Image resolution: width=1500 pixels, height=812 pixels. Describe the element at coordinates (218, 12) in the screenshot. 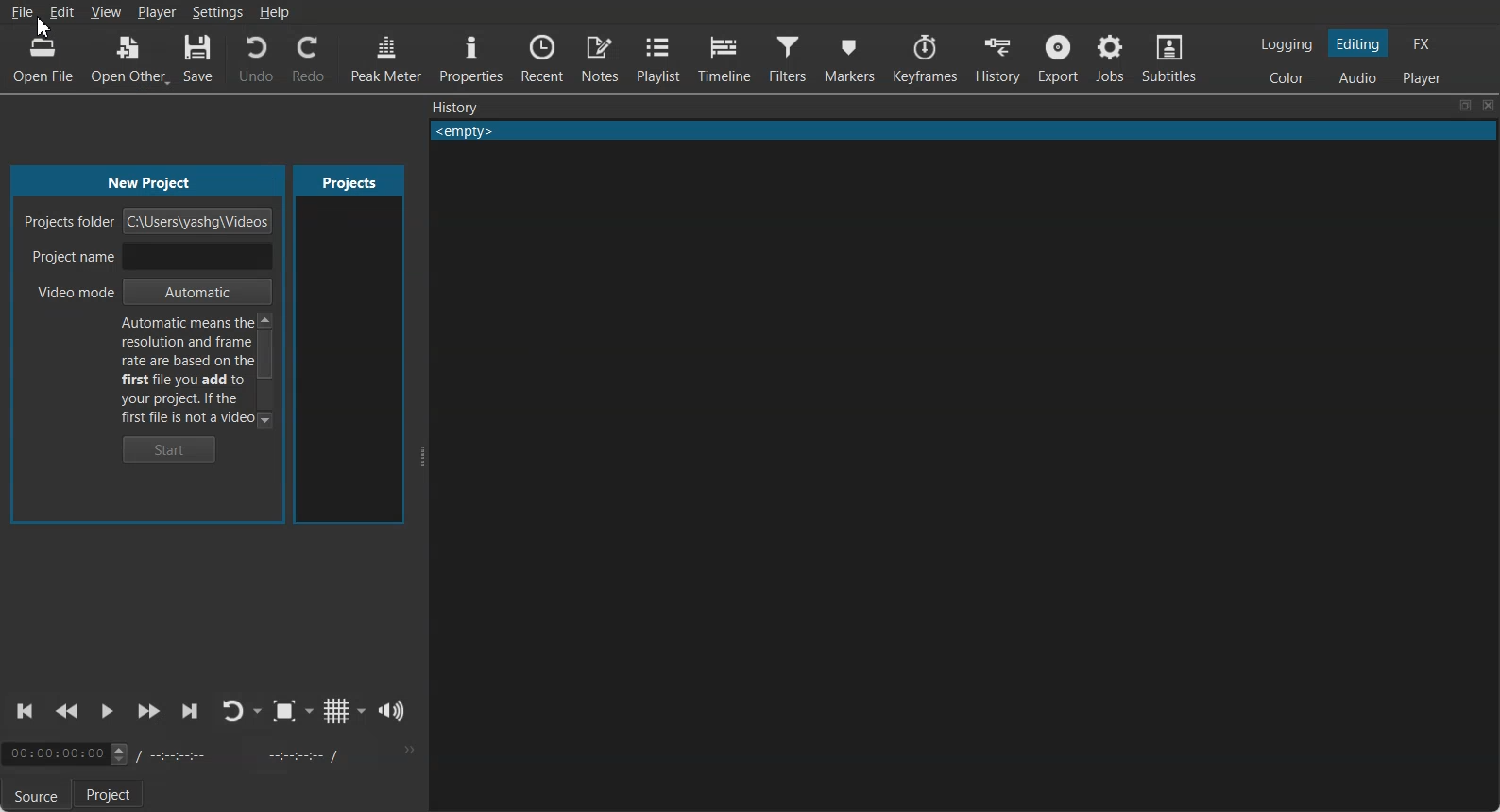

I see `Settings` at that location.